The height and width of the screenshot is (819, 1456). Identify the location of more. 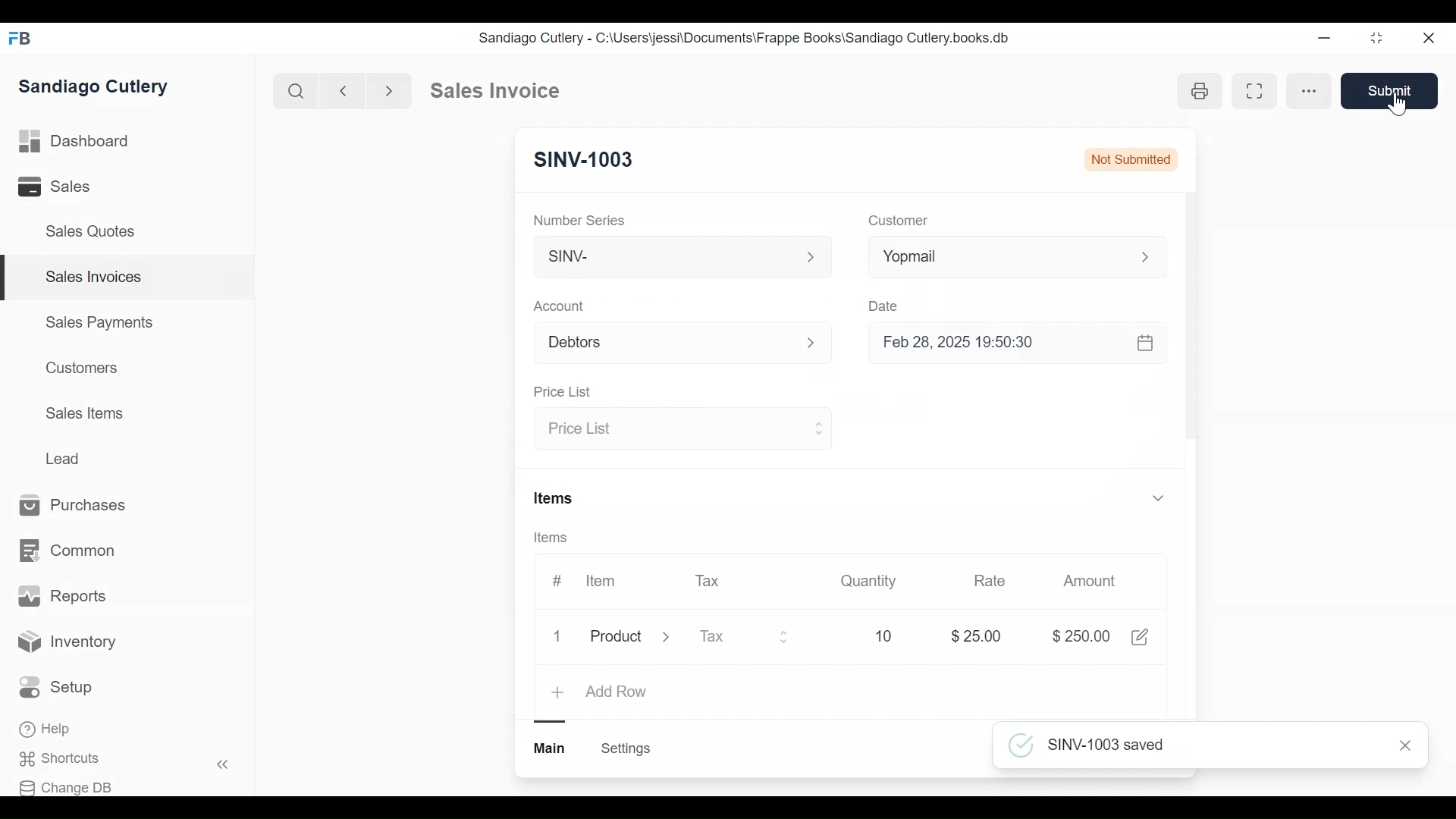
(1313, 90).